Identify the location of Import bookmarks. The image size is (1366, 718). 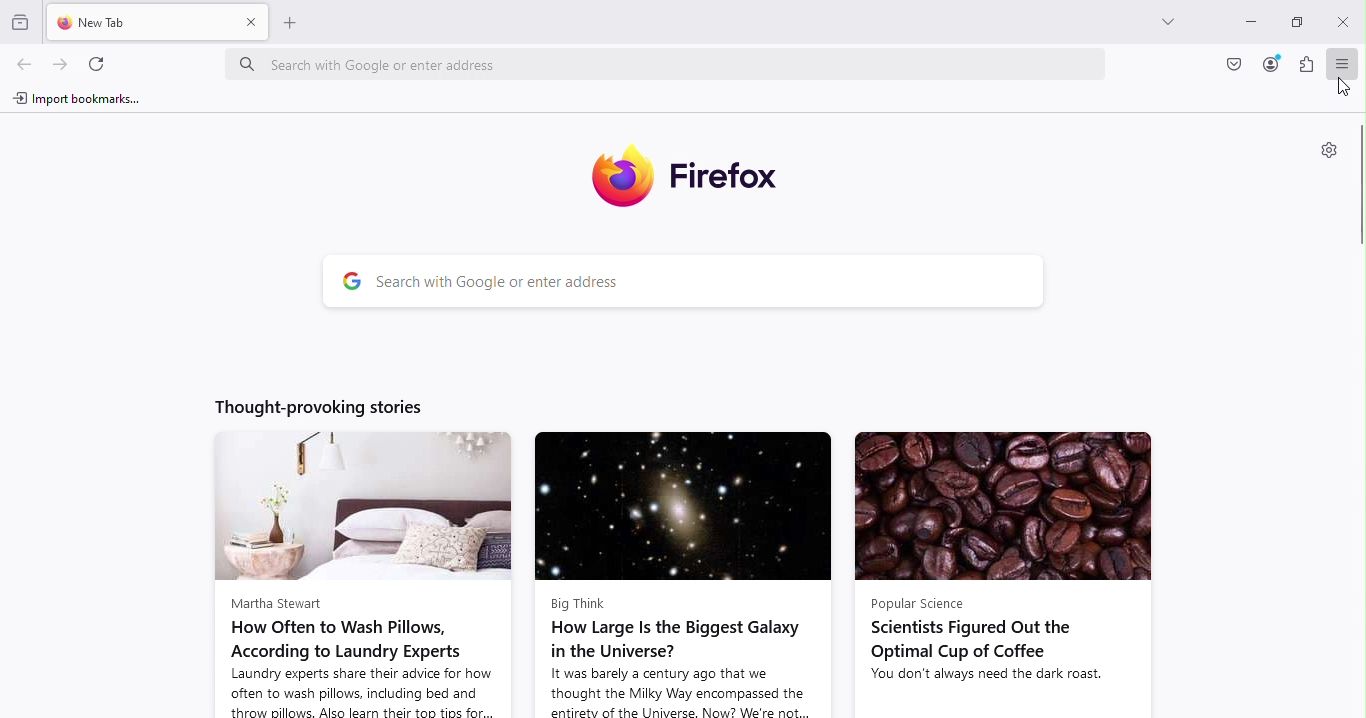
(75, 102).